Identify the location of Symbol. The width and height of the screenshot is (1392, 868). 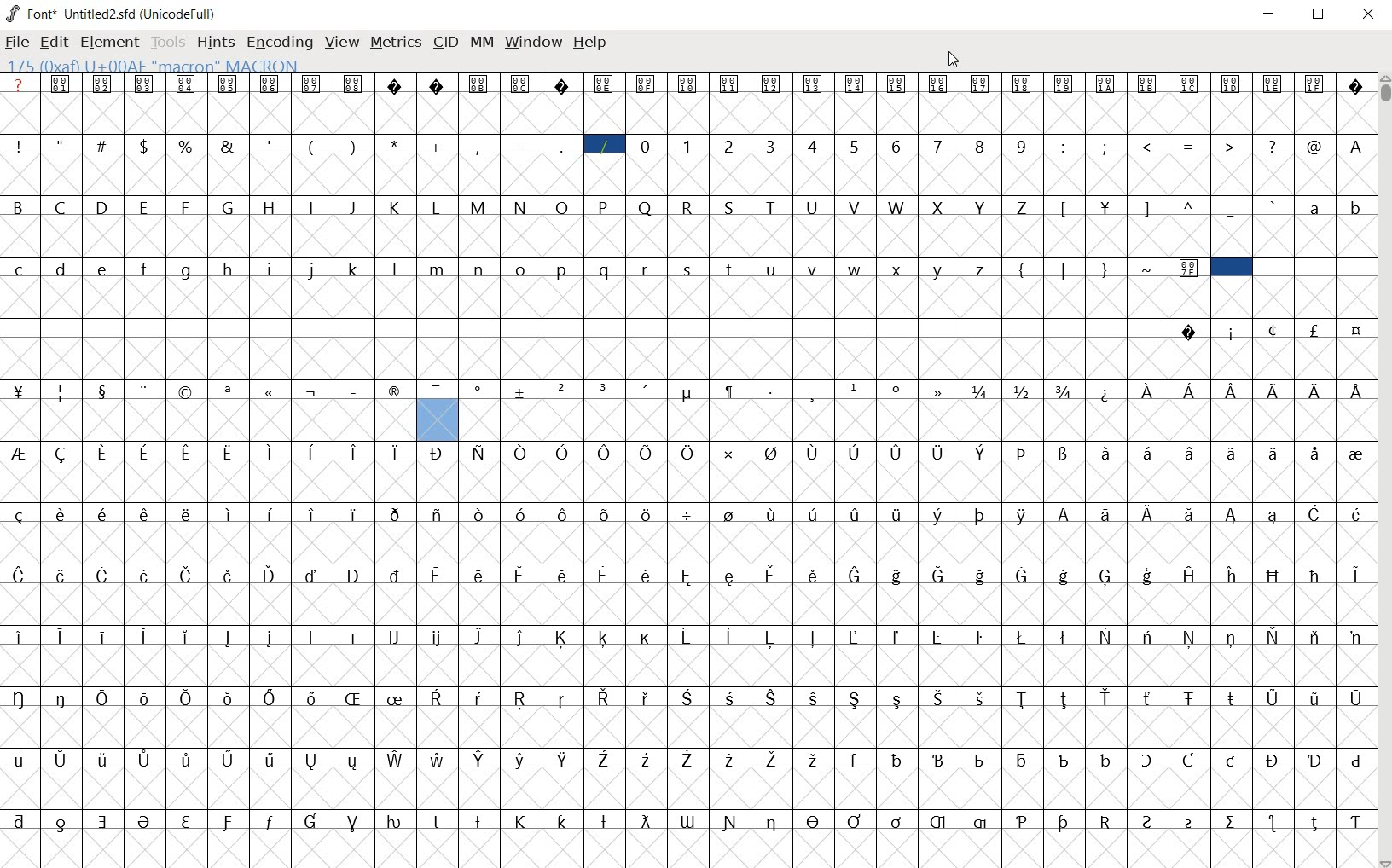
(729, 391).